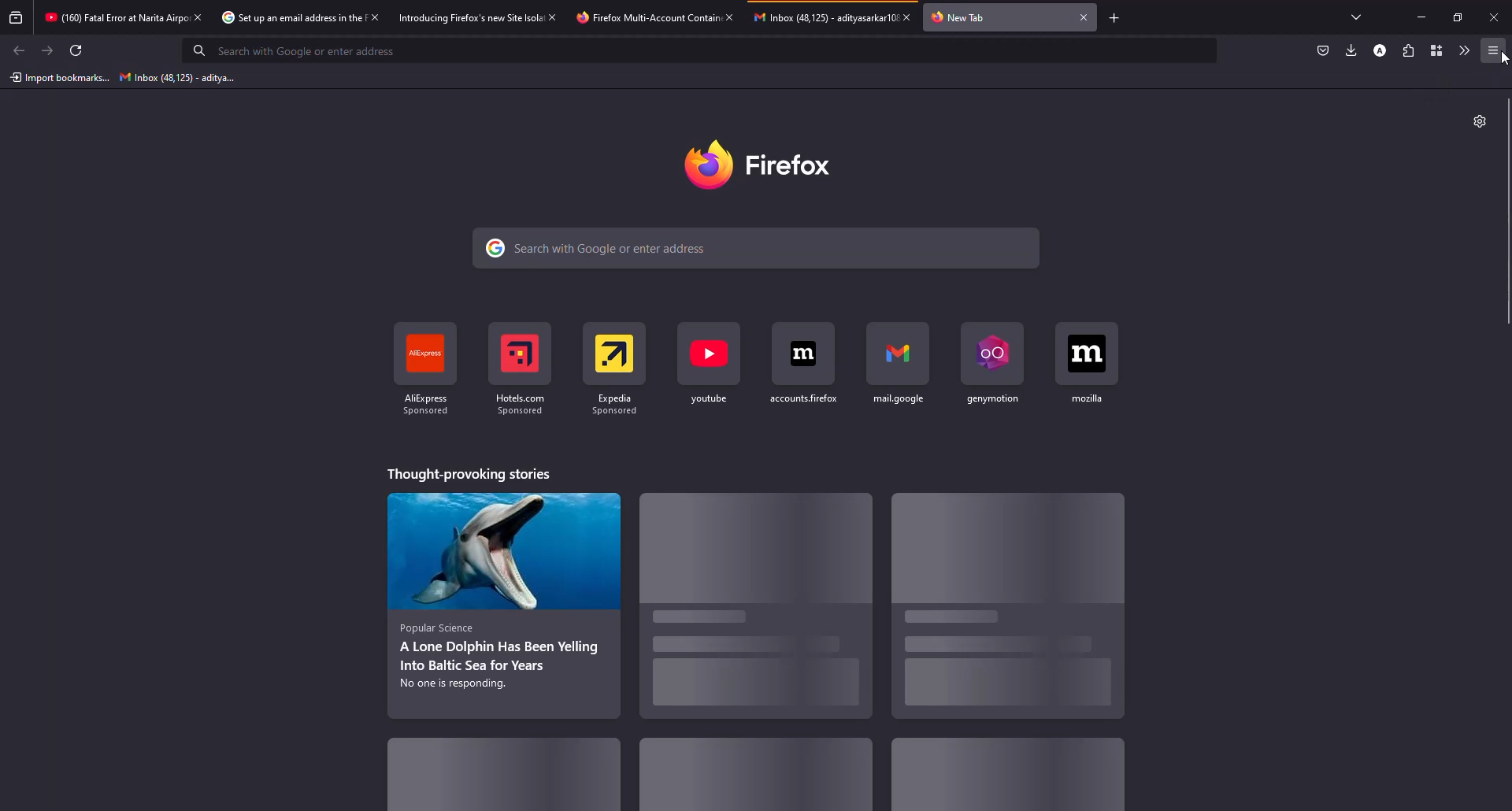 The height and width of the screenshot is (811, 1512). I want to click on cursor, so click(1503, 60).